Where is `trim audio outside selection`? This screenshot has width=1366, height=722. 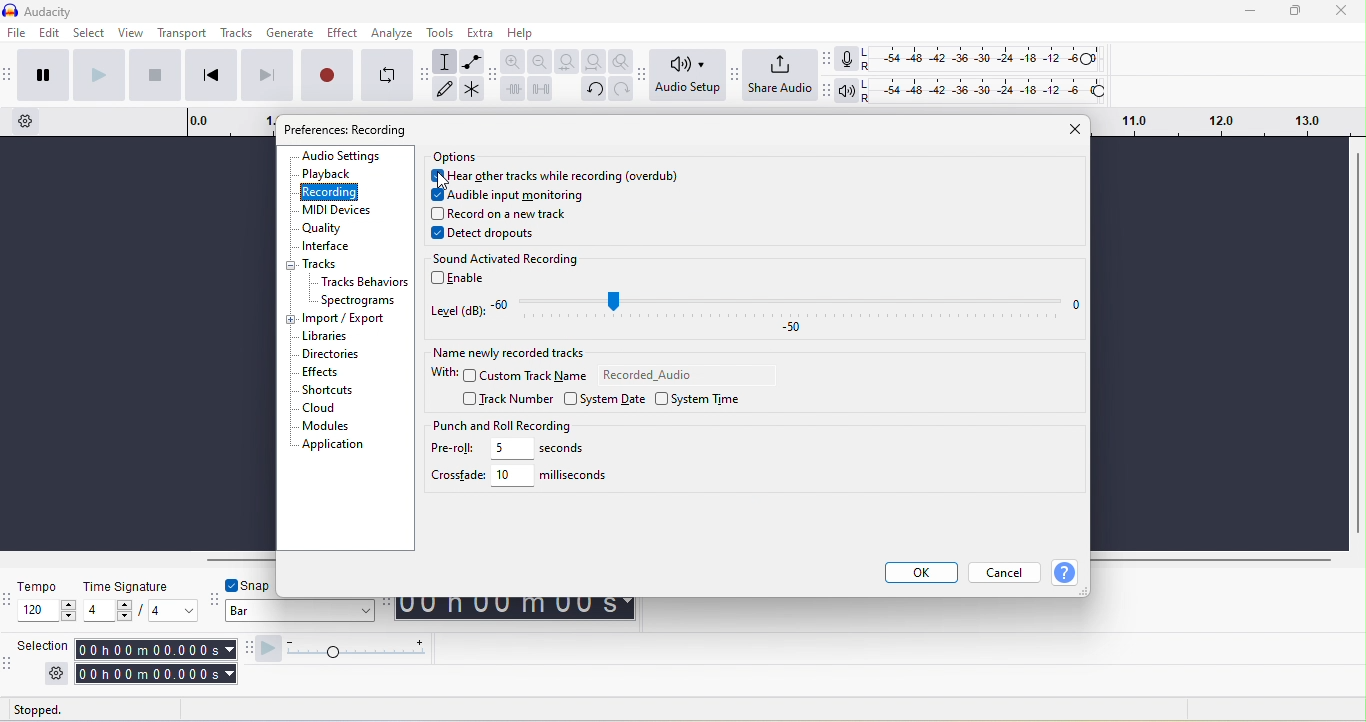
trim audio outside selection is located at coordinates (514, 90).